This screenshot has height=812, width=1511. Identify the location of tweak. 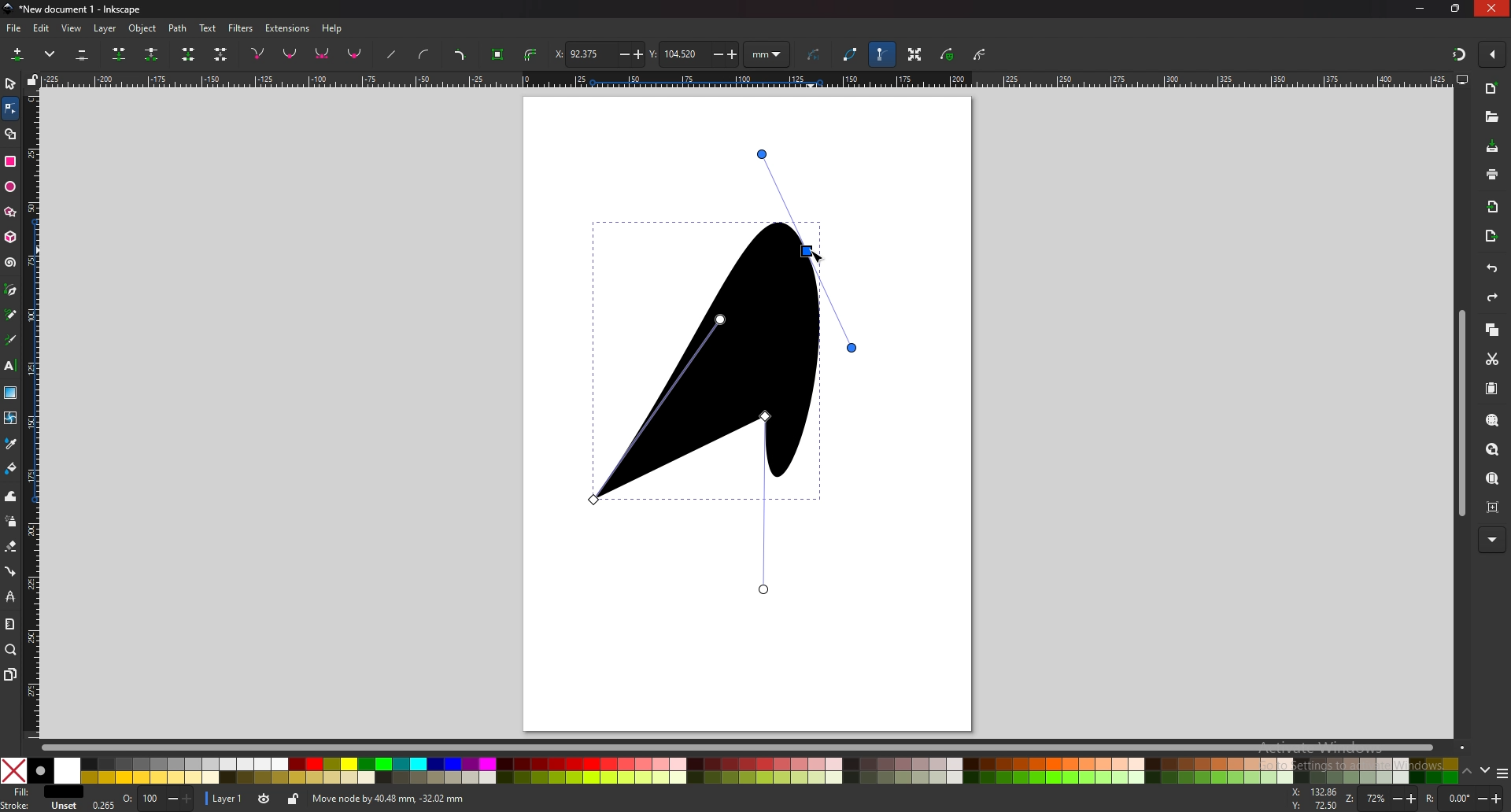
(10, 496).